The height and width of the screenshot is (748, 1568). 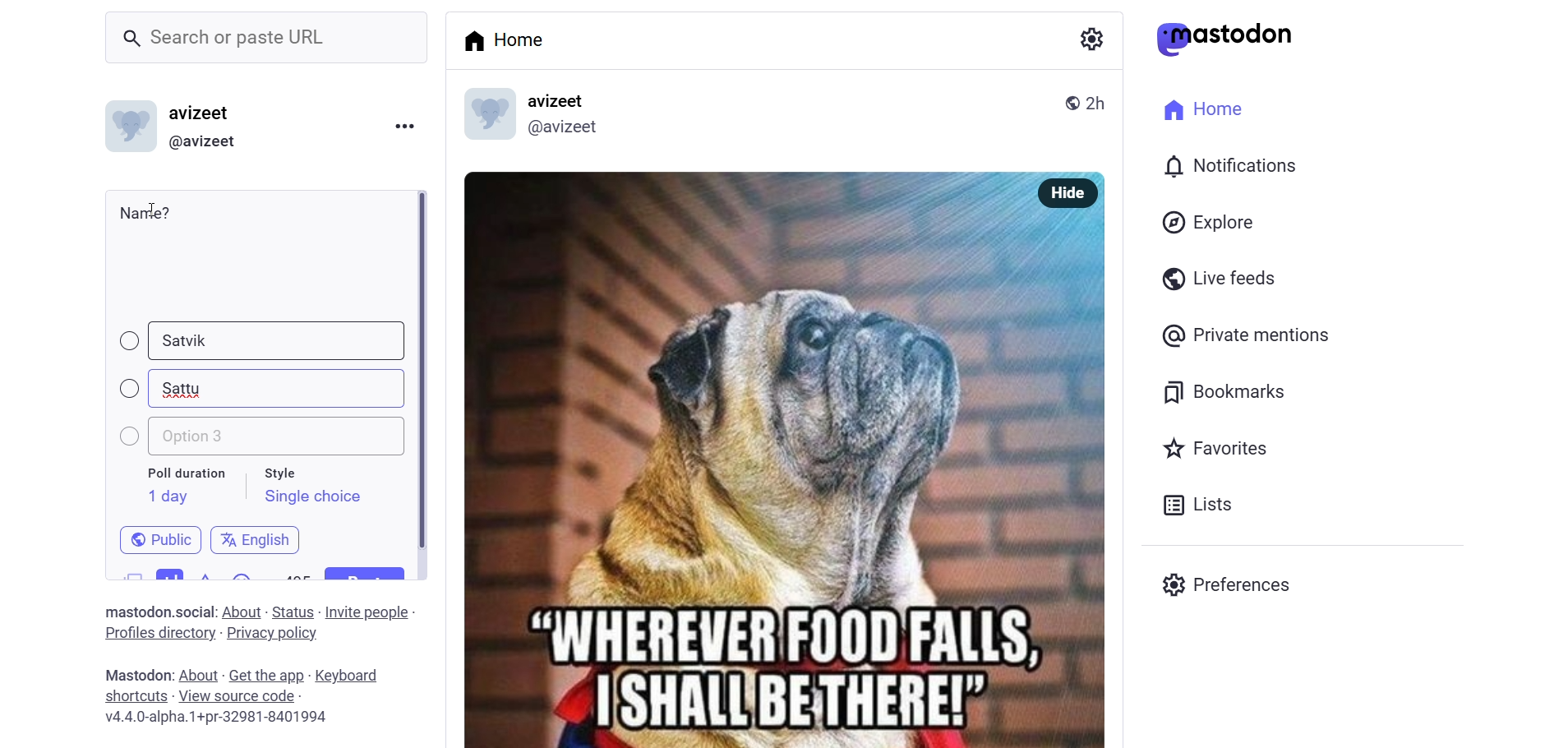 I want to click on avizeet, so click(x=204, y=115).